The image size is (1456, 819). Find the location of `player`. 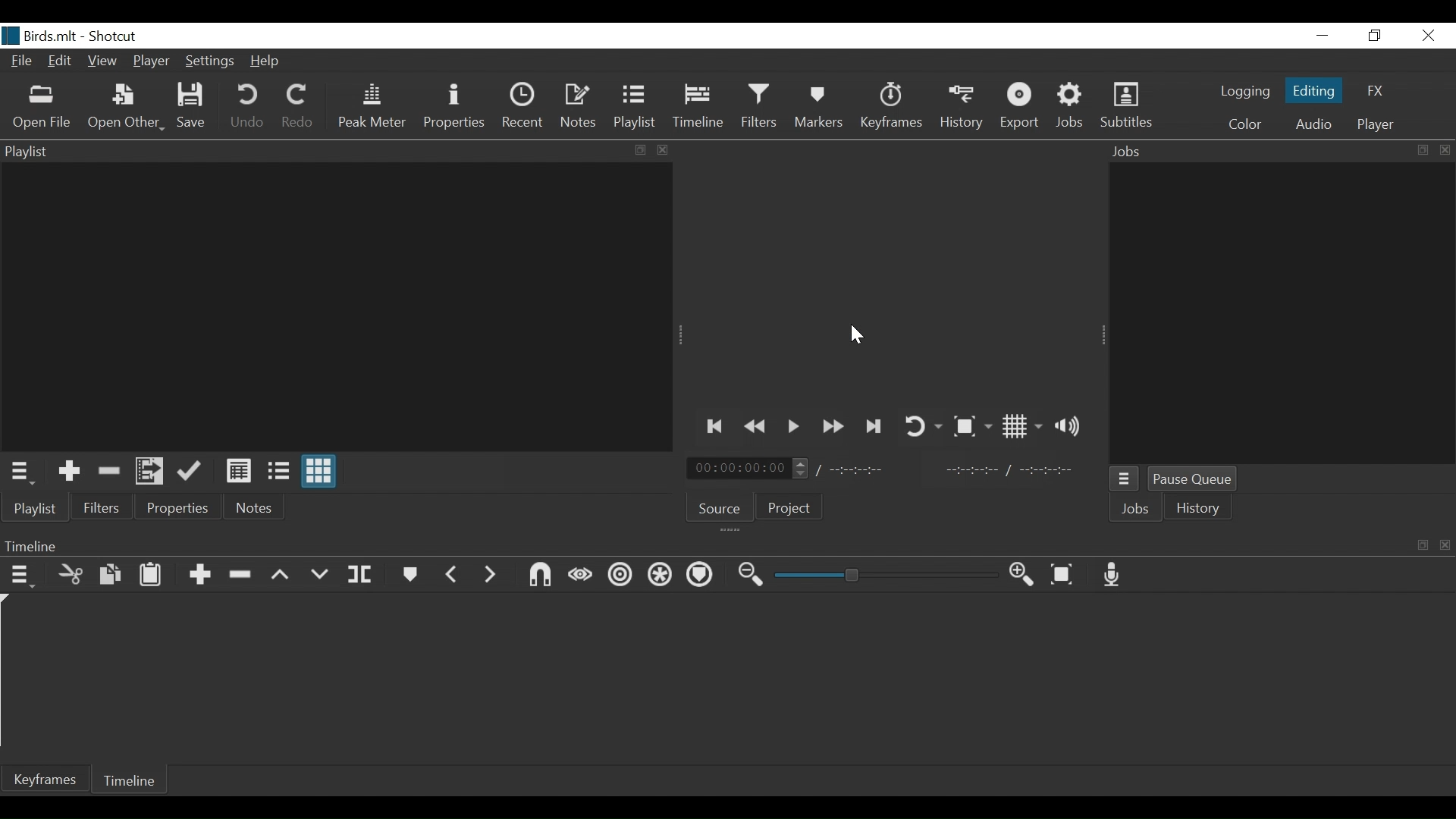

player is located at coordinates (1373, 124).